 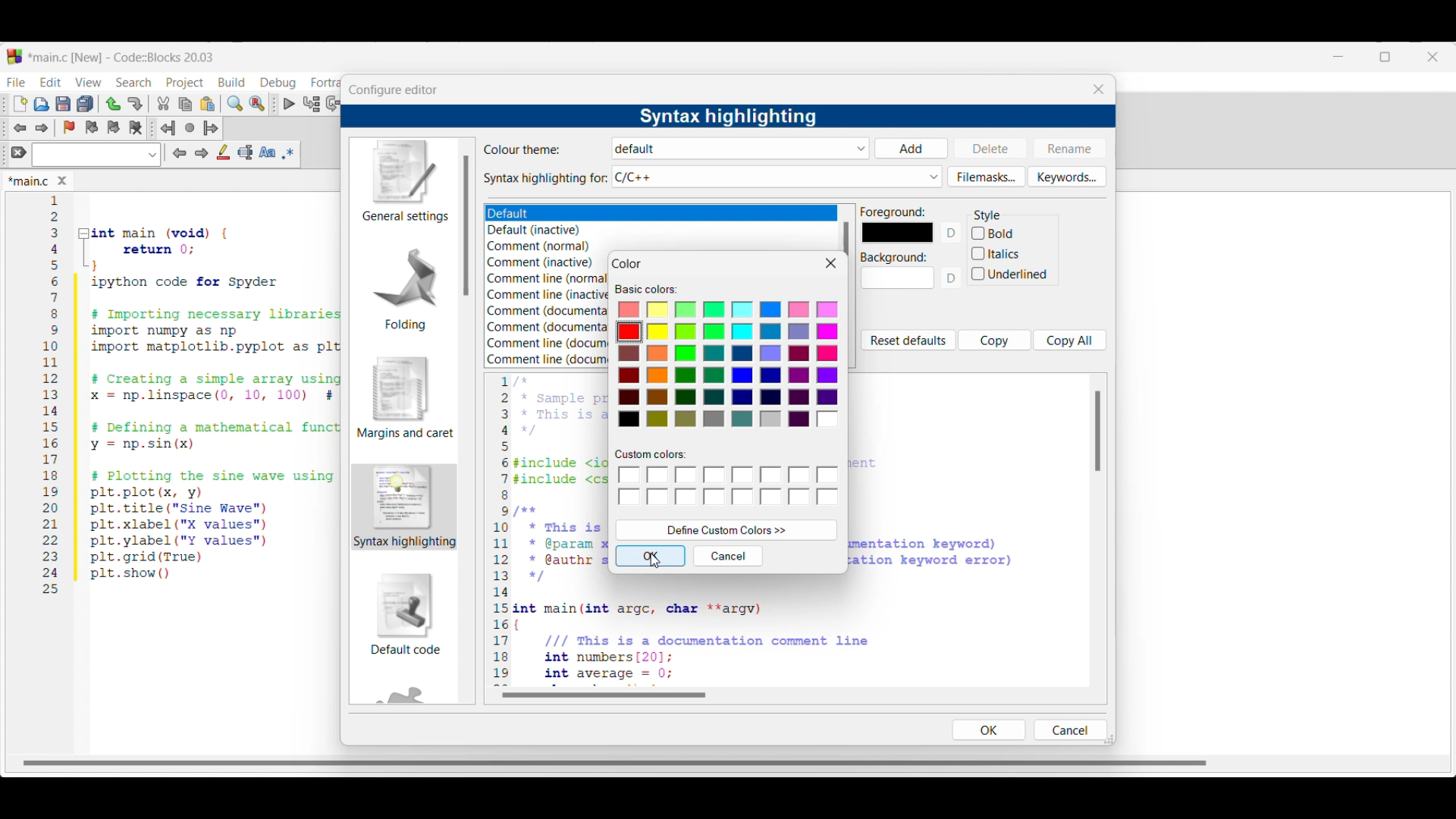 What do you see at coordinates (1432, 57) in the screenshot?
I see `Close interface` at bounding box center [1432, 57].